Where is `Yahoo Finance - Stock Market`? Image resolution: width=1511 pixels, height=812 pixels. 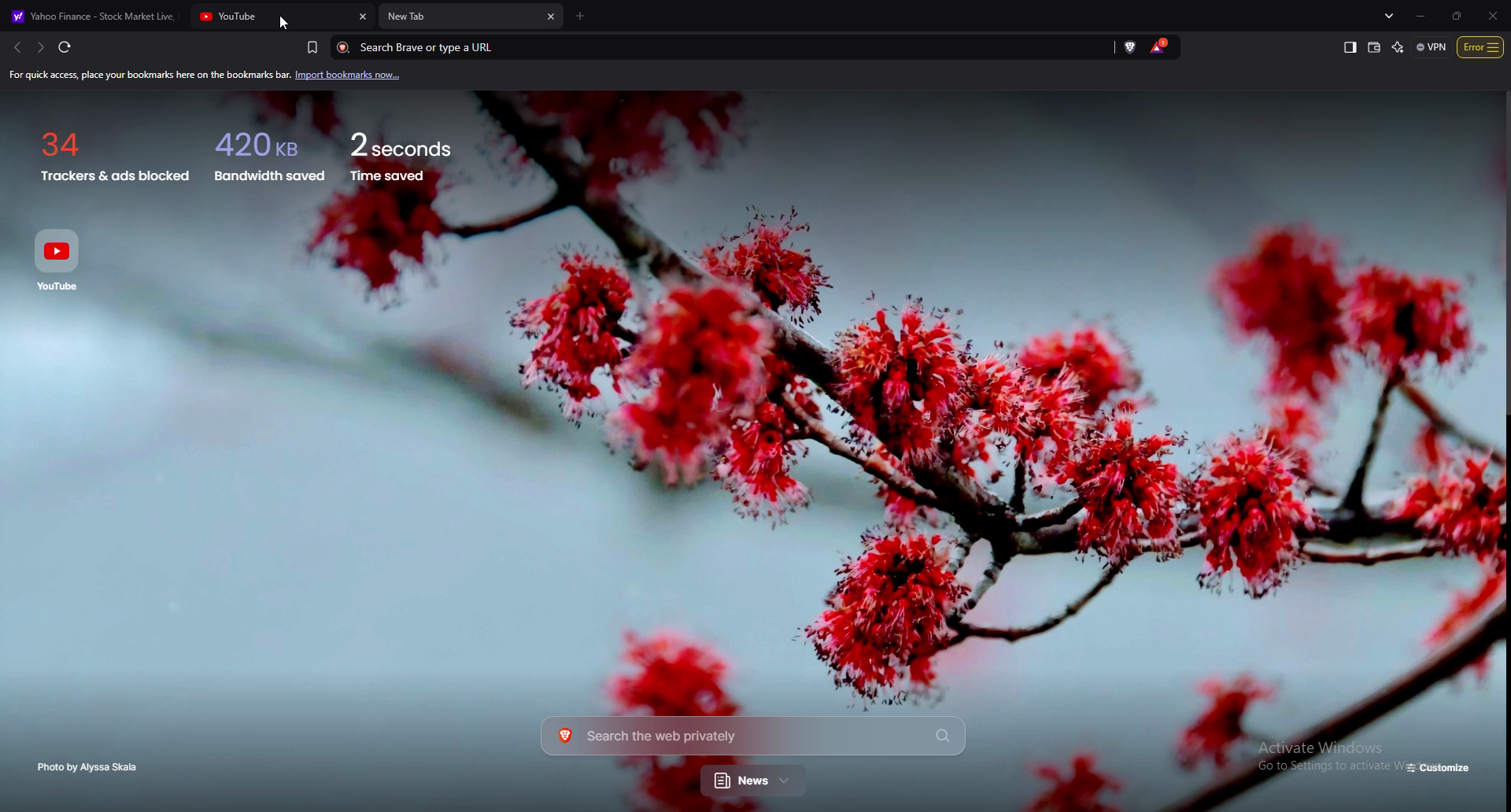
Yahoo Finance - Stock Market is located at coordinates (94, 16).